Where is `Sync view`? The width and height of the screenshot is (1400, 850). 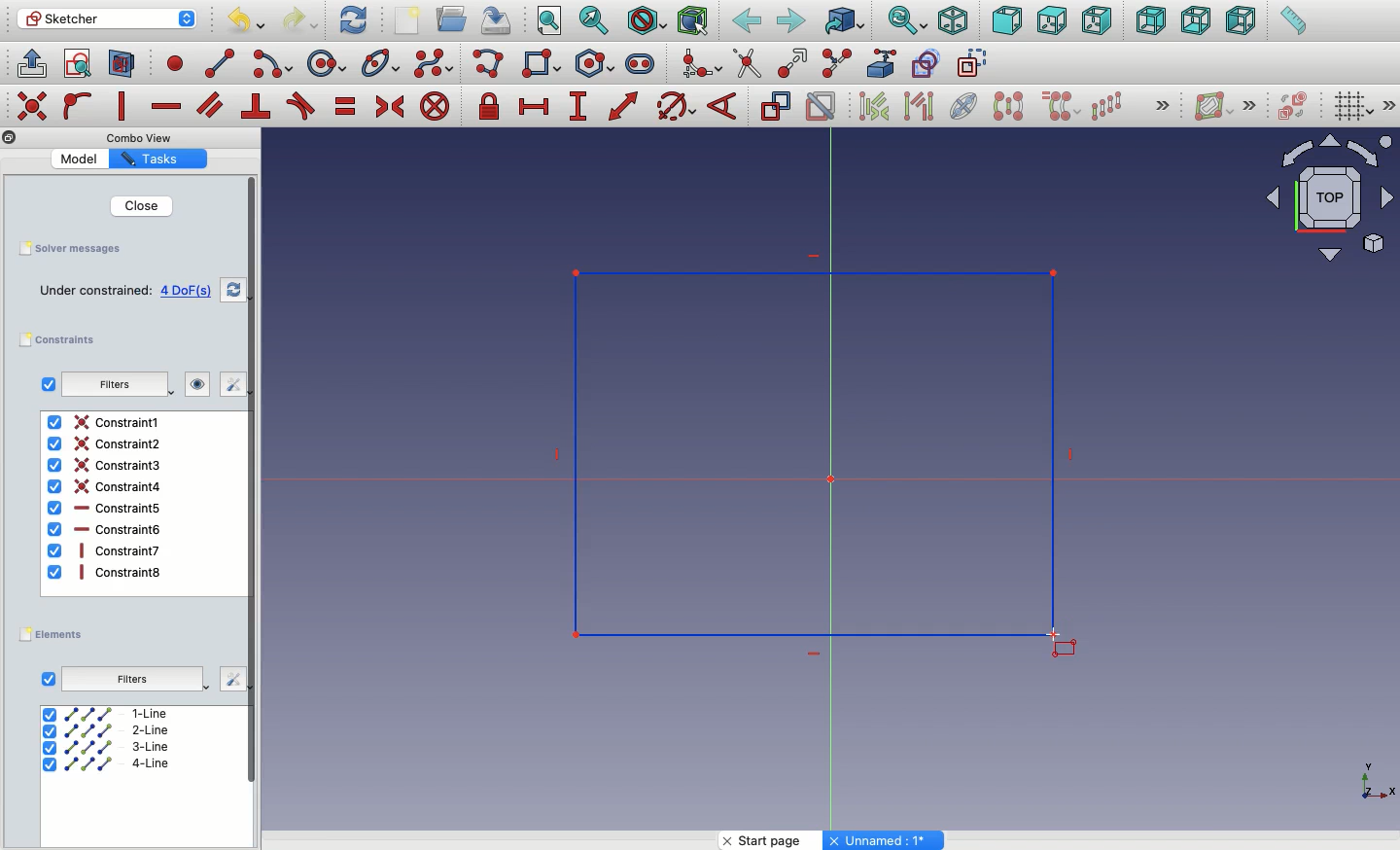
Sync view is located at coordinates (906, 21).